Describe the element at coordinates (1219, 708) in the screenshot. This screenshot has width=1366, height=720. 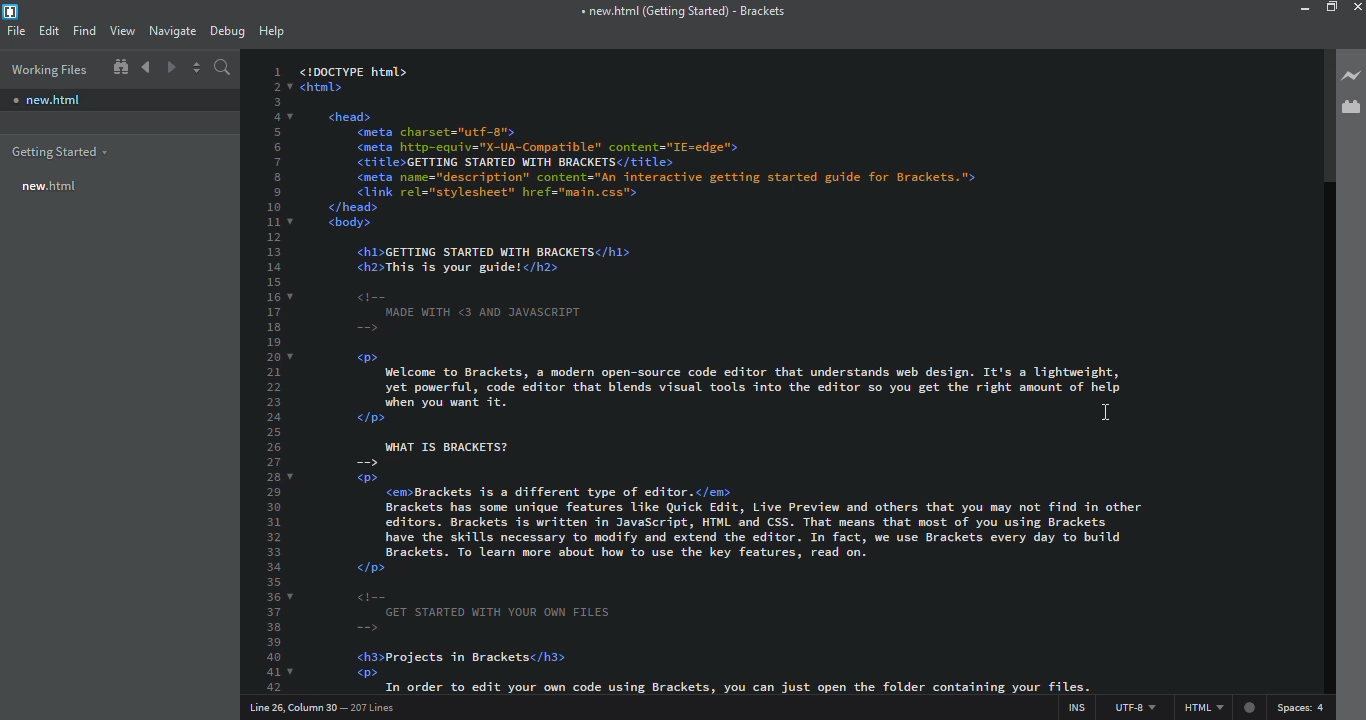
I see `html` at that location.